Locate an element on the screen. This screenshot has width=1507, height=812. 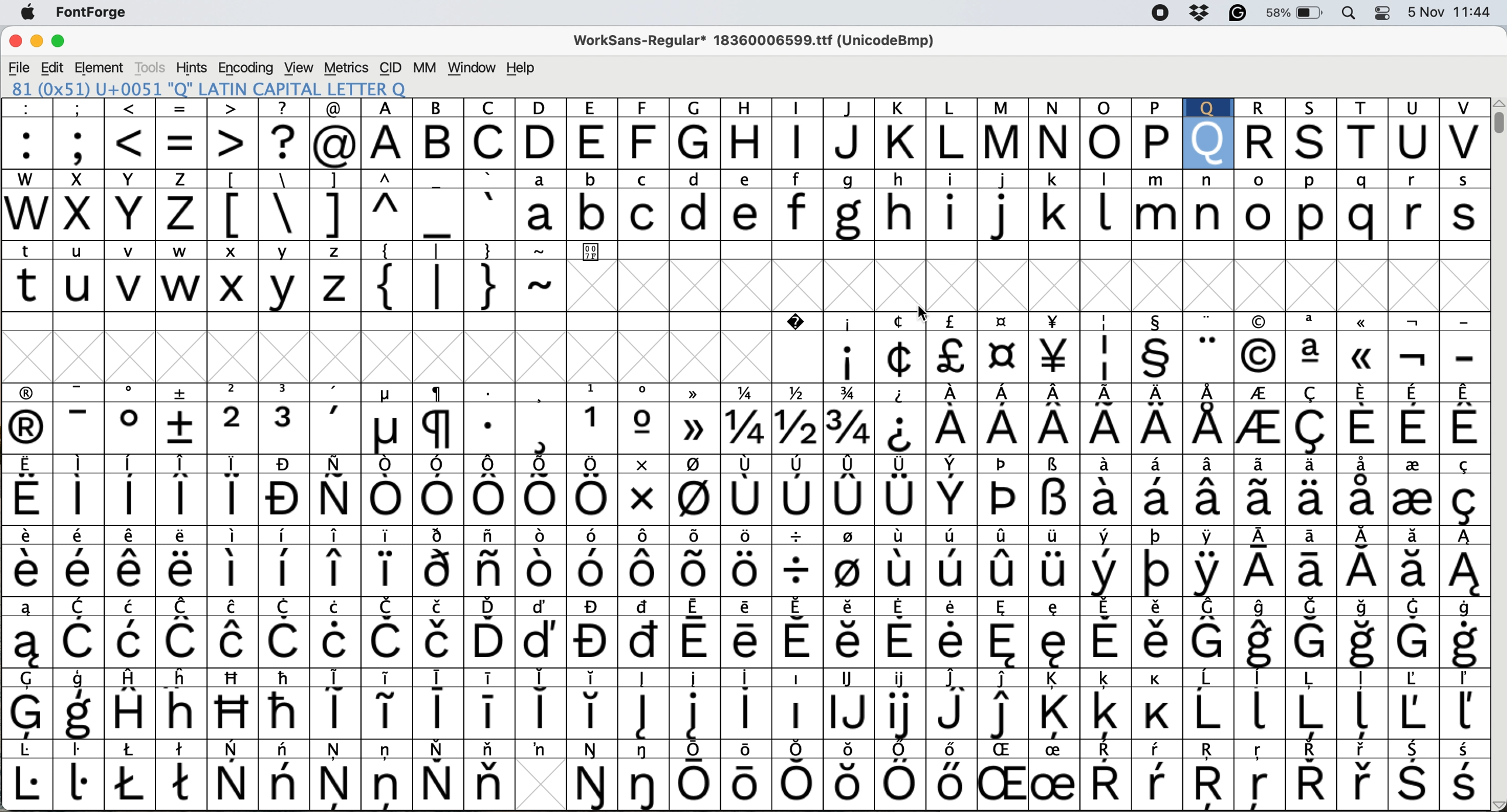
uppercase letter is located at coordinates (772, 143).